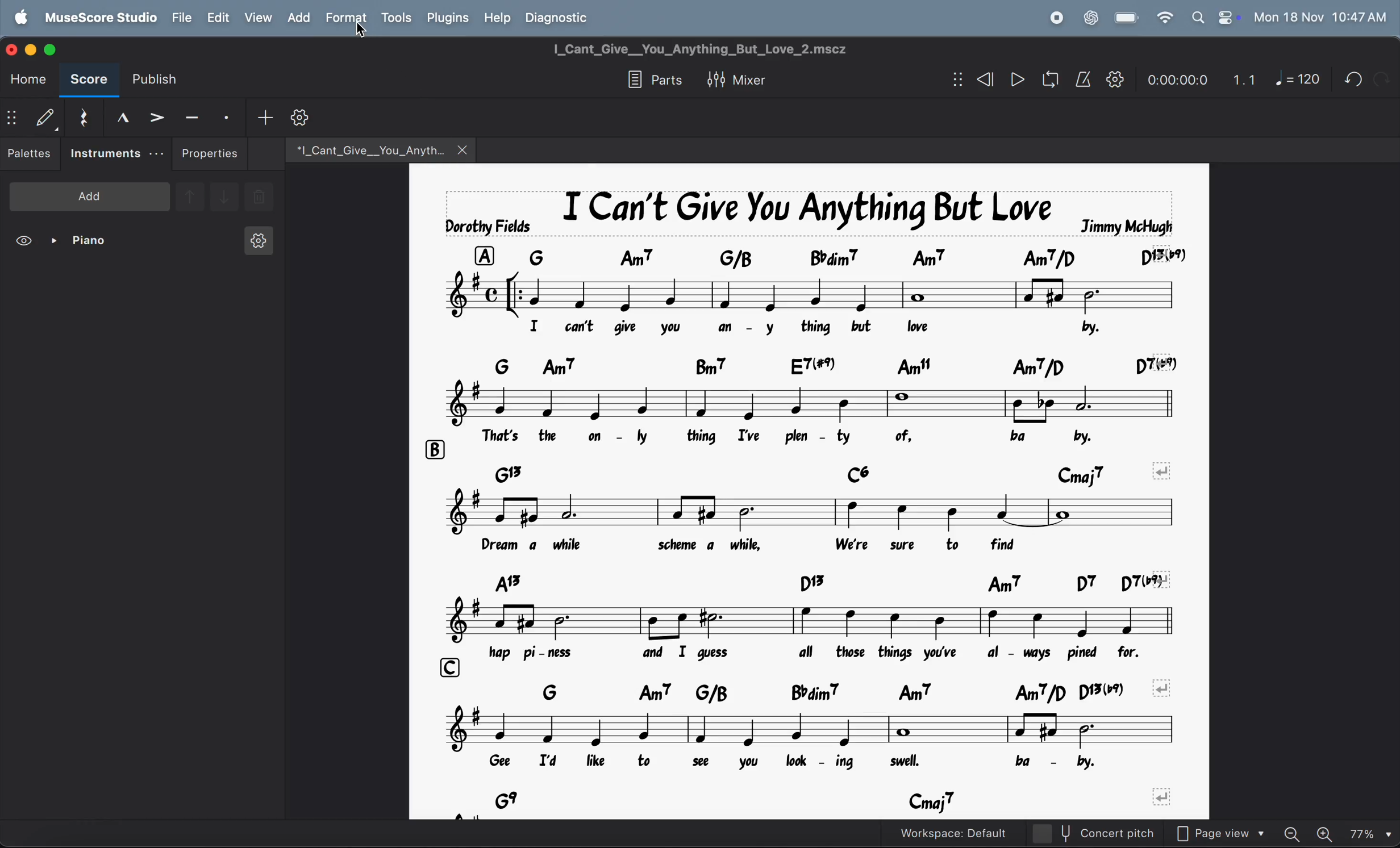 This screenshot has height=848, width=1400. What do you see at coordinates (56, 49) in the screenshot?
I see `maximize` at bounding box center [56, 49].